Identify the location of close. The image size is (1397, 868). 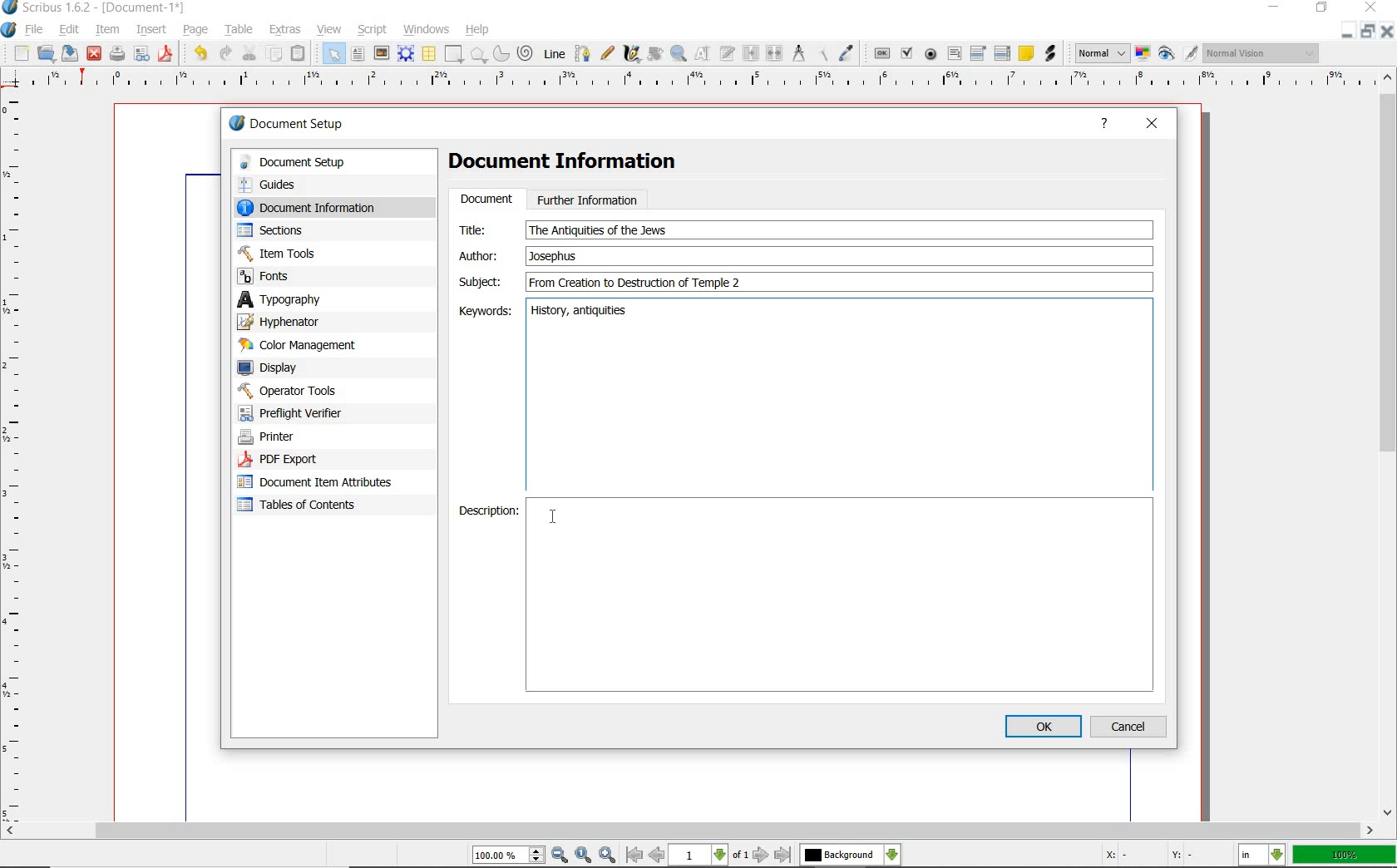
(1389, 32).